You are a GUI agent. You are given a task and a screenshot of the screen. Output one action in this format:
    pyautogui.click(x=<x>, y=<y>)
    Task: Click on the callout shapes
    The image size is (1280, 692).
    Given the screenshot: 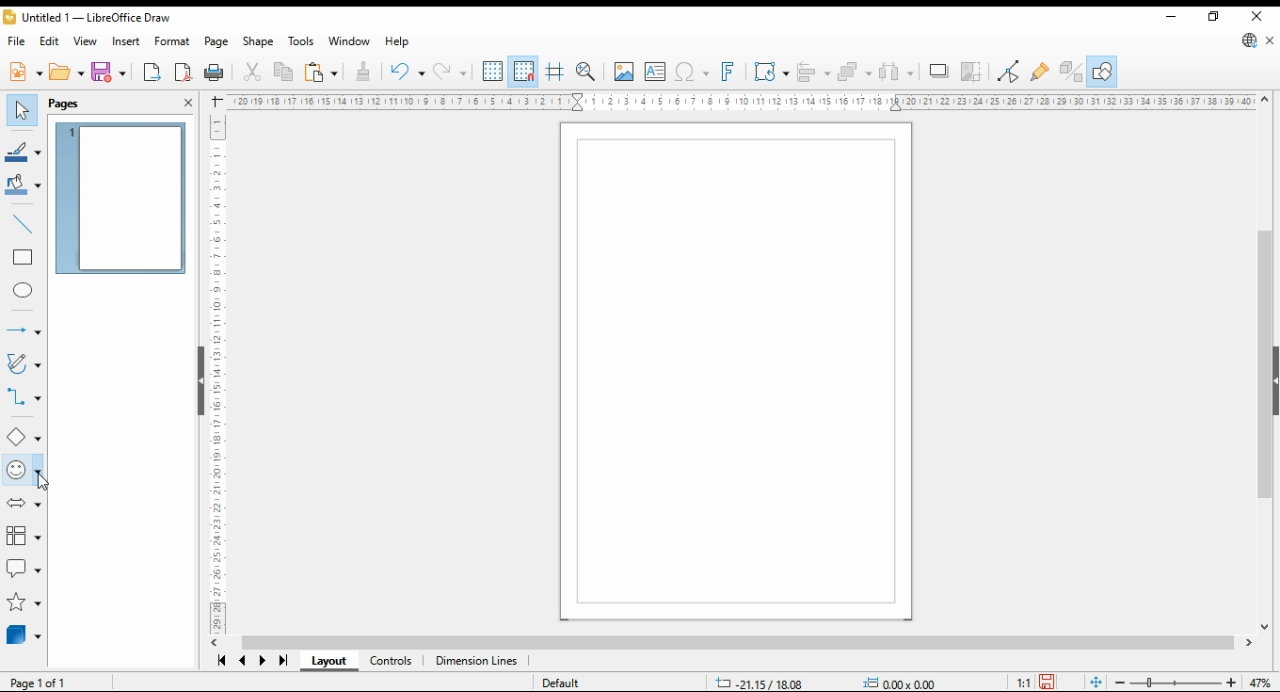 What is the action you would take?
    pyautogui.click(x=24, y=564)
    